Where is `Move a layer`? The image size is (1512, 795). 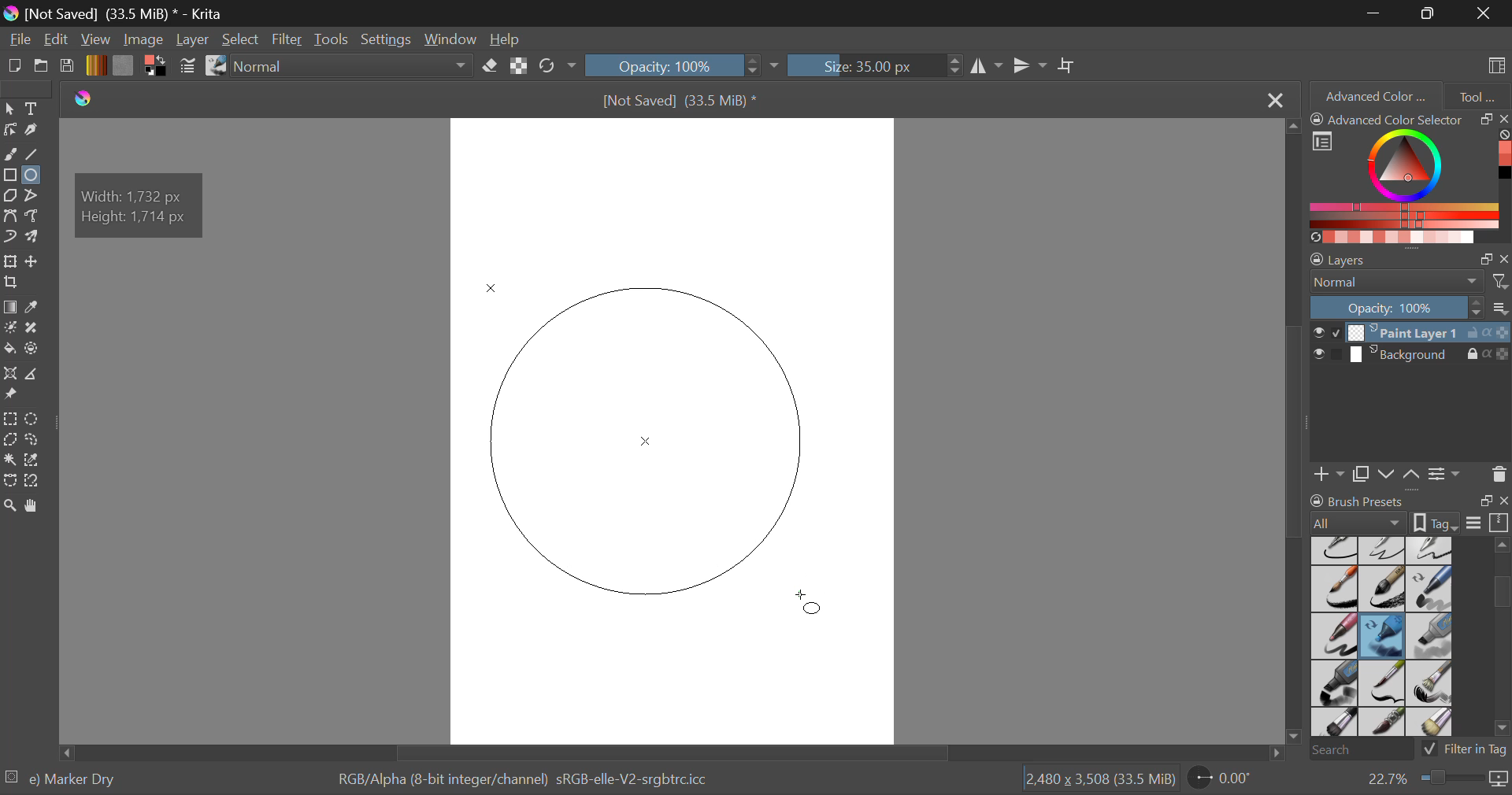
Move a layer is located at coordinates (34, 261).